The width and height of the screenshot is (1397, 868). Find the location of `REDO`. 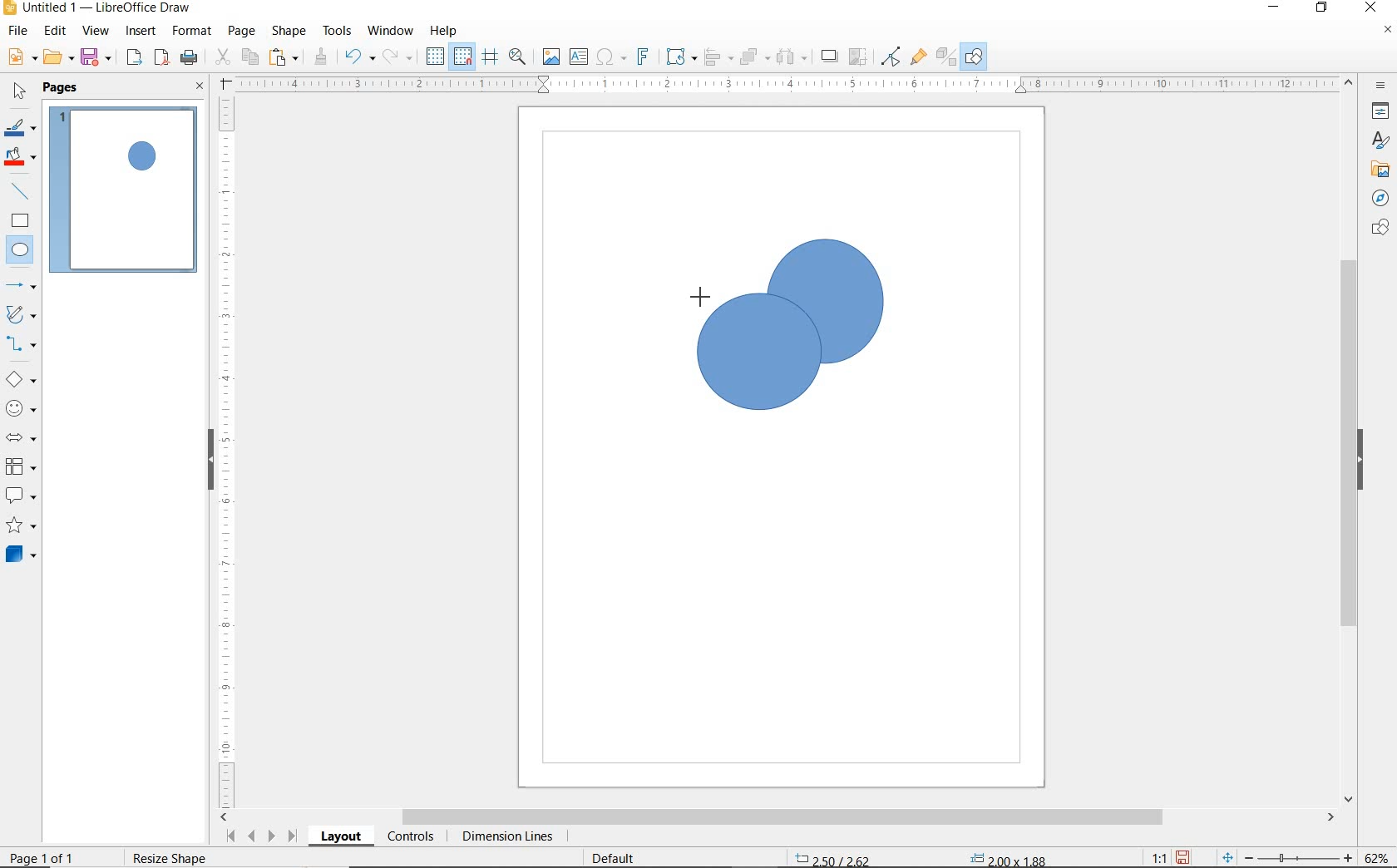

REDO is located at coordinates (398, 57).